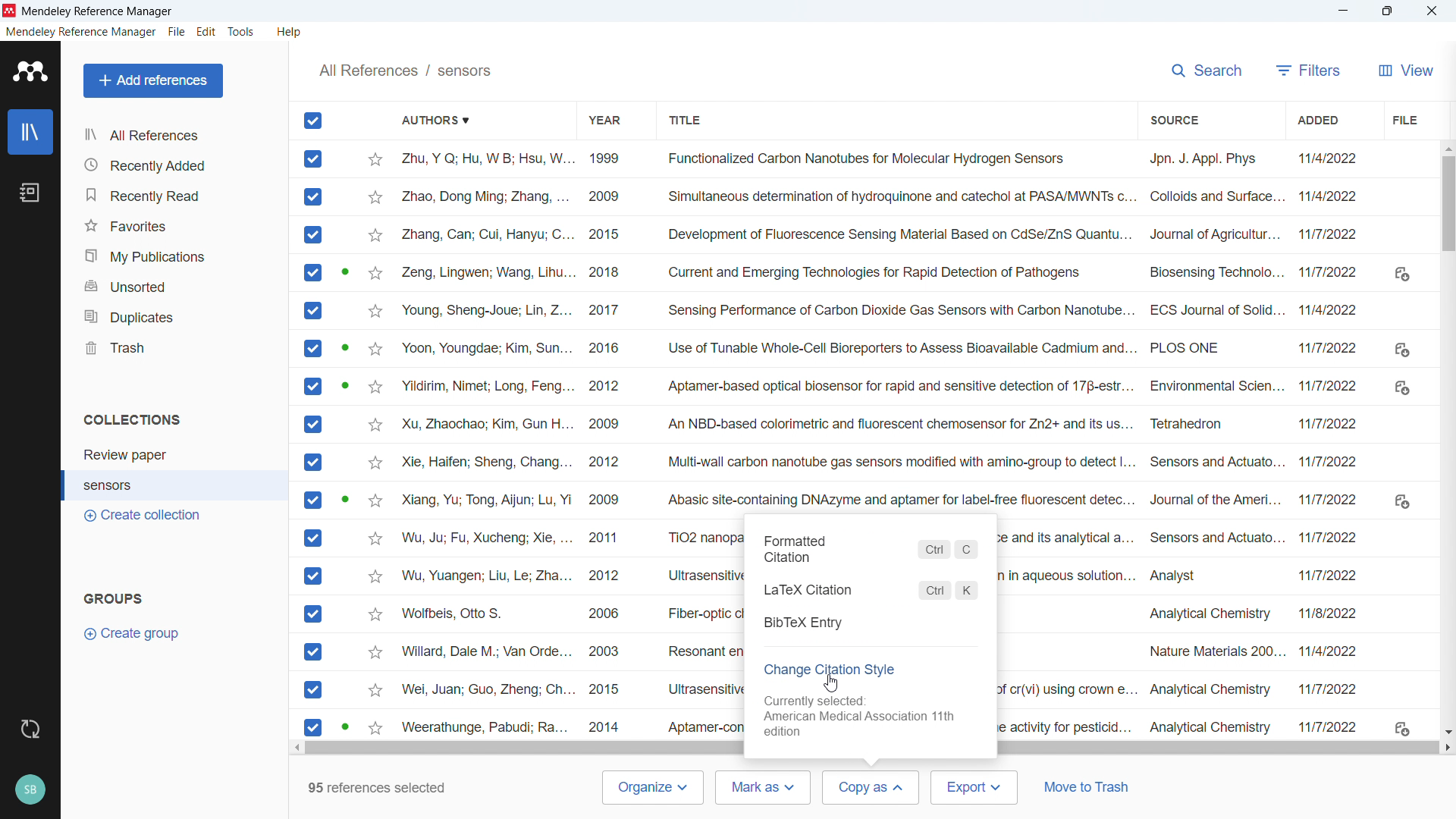 This screenshot has width=1456, height=819. Describe the element at coordinates (604, 121) in the screenshot. I see `Sort by year of publication ` at that location.